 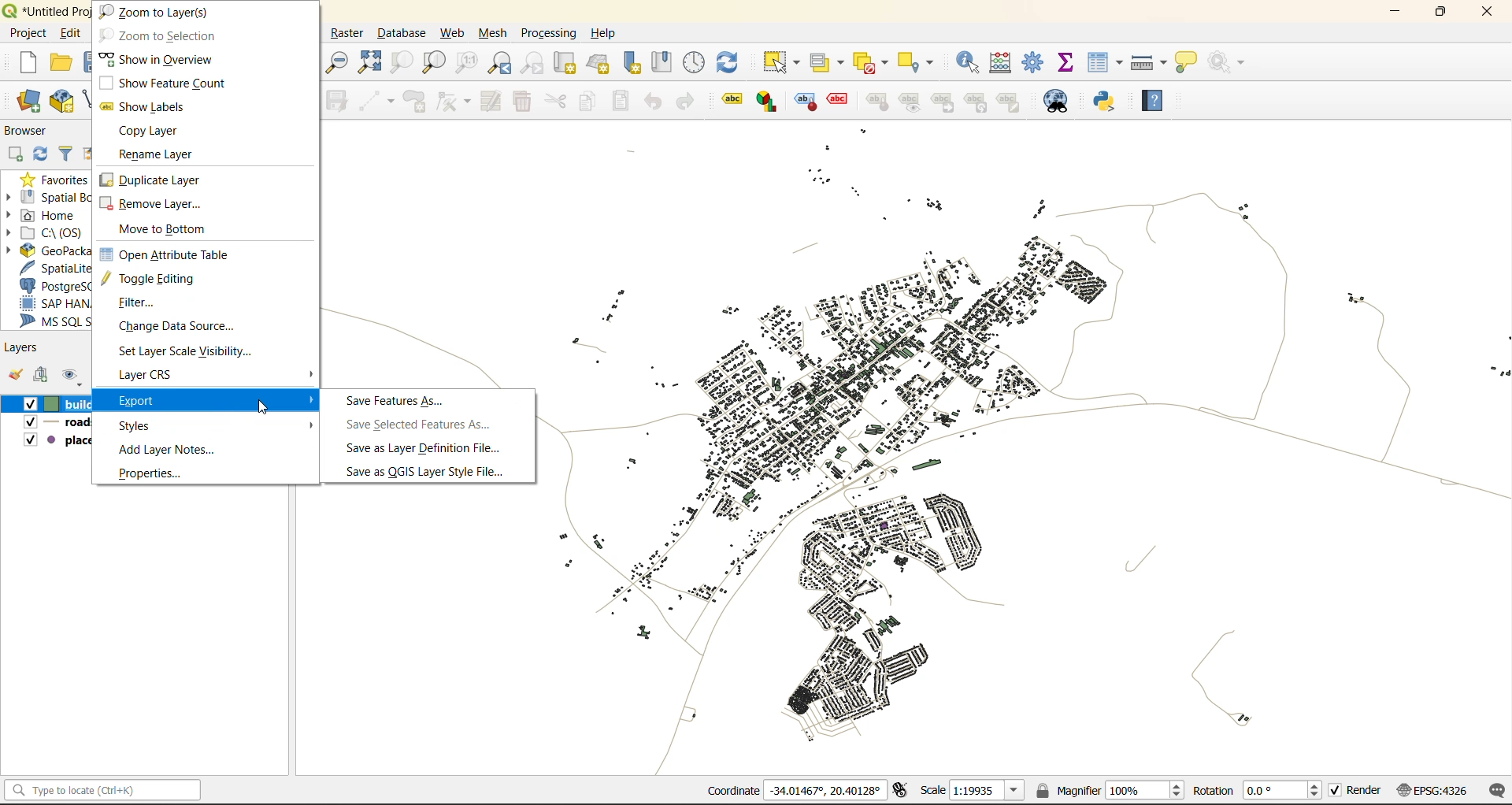 What do you see at coordinates (770, 102) in the screenshot?
I see `layer diagram` at bounding box center [770, 102].